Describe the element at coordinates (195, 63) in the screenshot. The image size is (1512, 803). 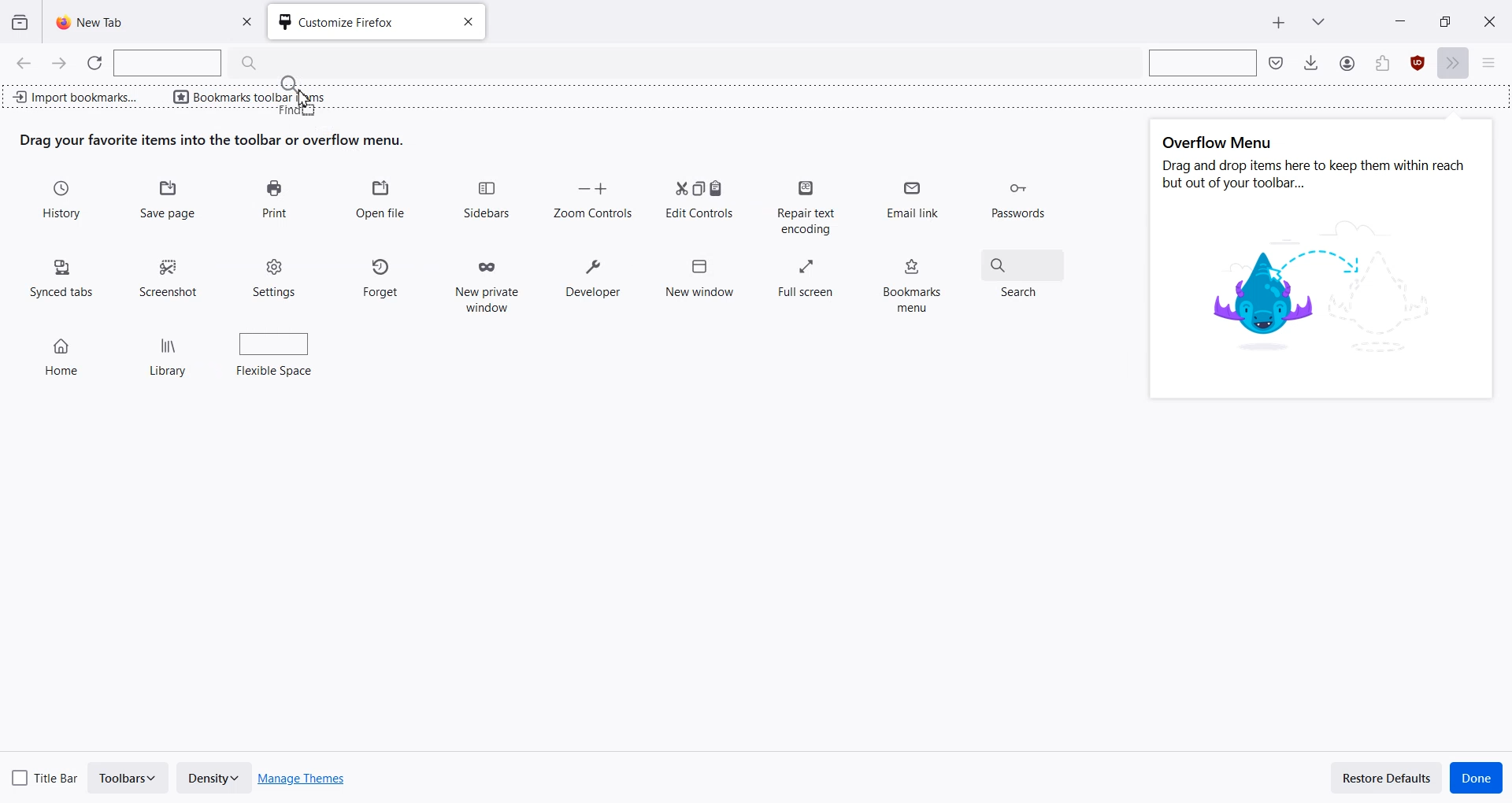
I see `Search Bar` at that location.